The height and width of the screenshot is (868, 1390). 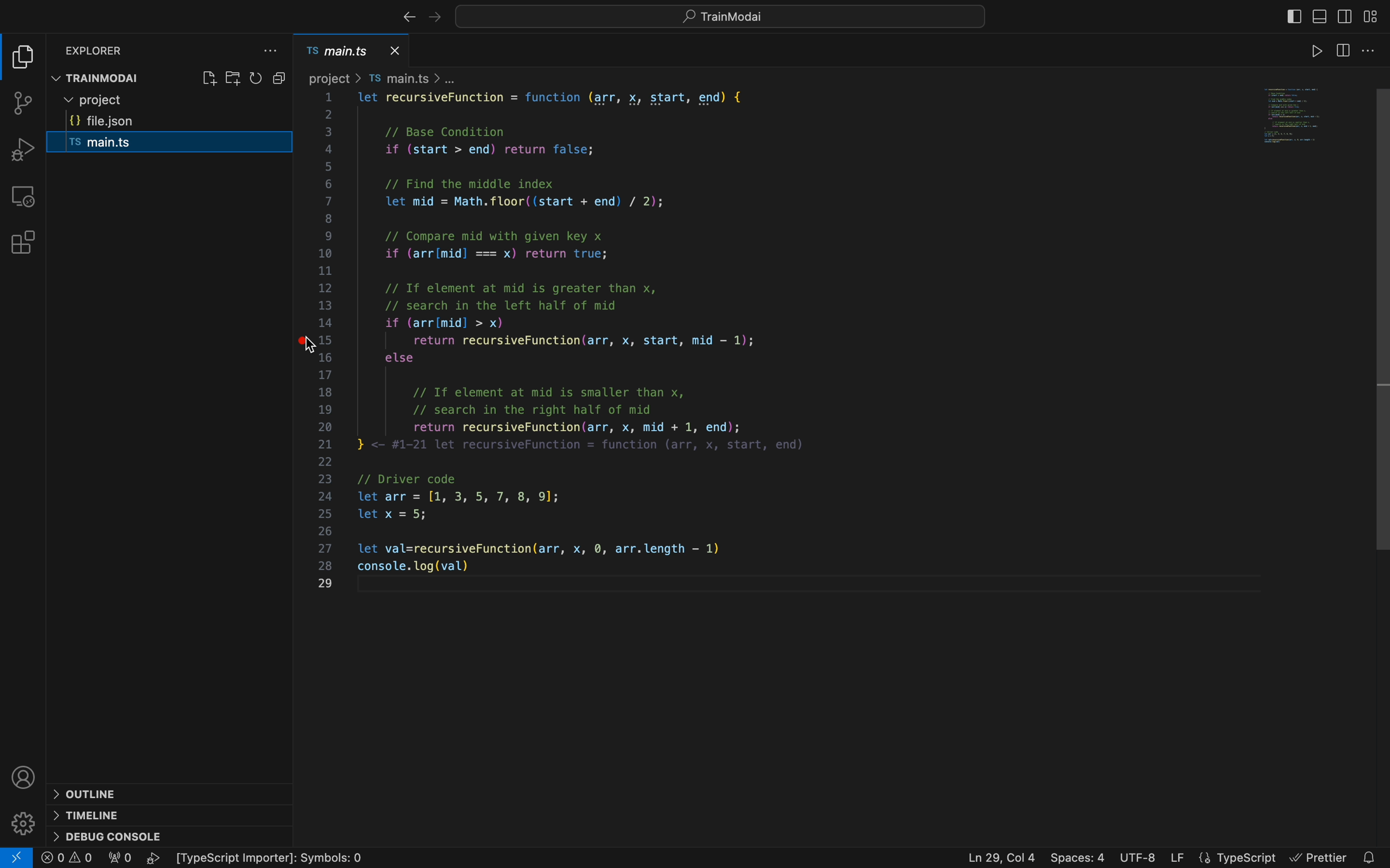 What do you see at coordinates (1347, 14) in the screenshot?
I see `toggle secondary bar` at bounding box center [1347, 14].